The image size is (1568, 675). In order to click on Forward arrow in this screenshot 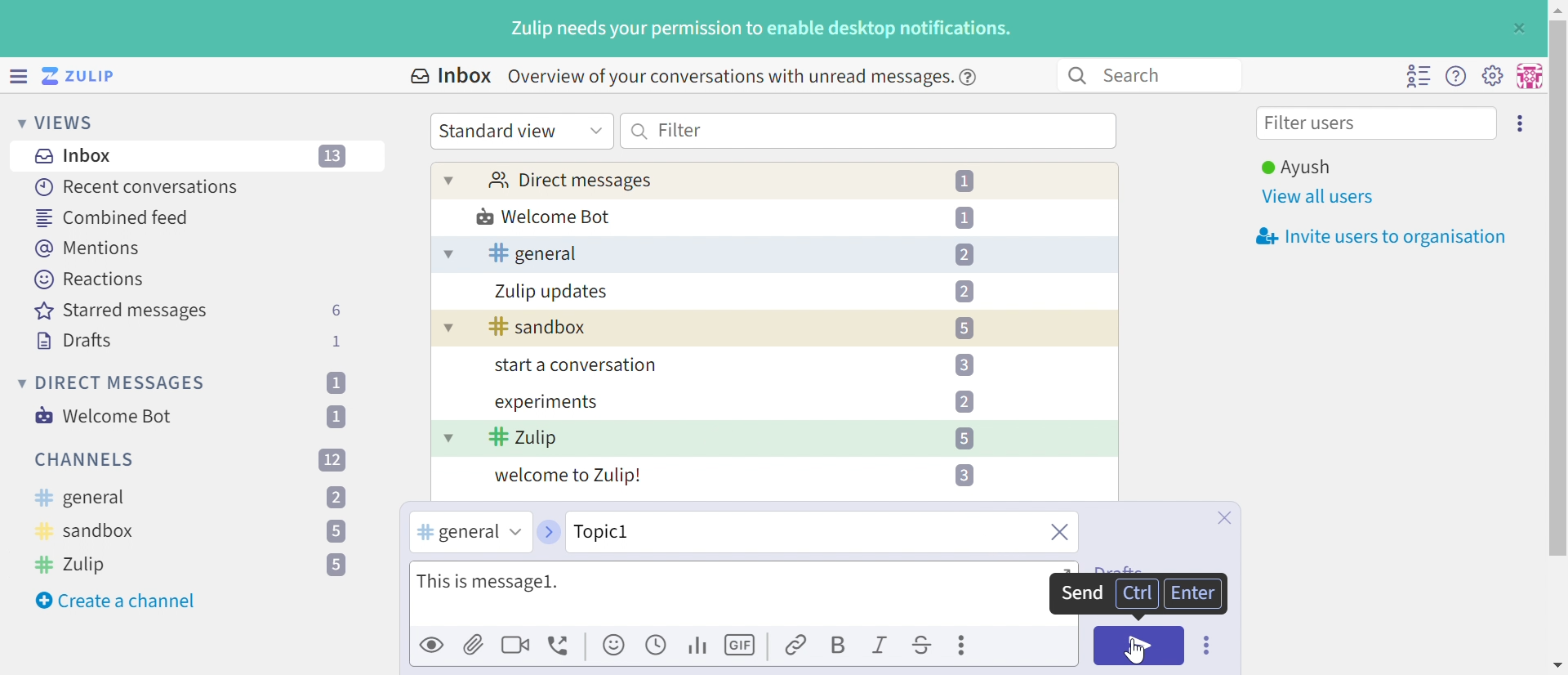, I will do `click(547, 532)`.